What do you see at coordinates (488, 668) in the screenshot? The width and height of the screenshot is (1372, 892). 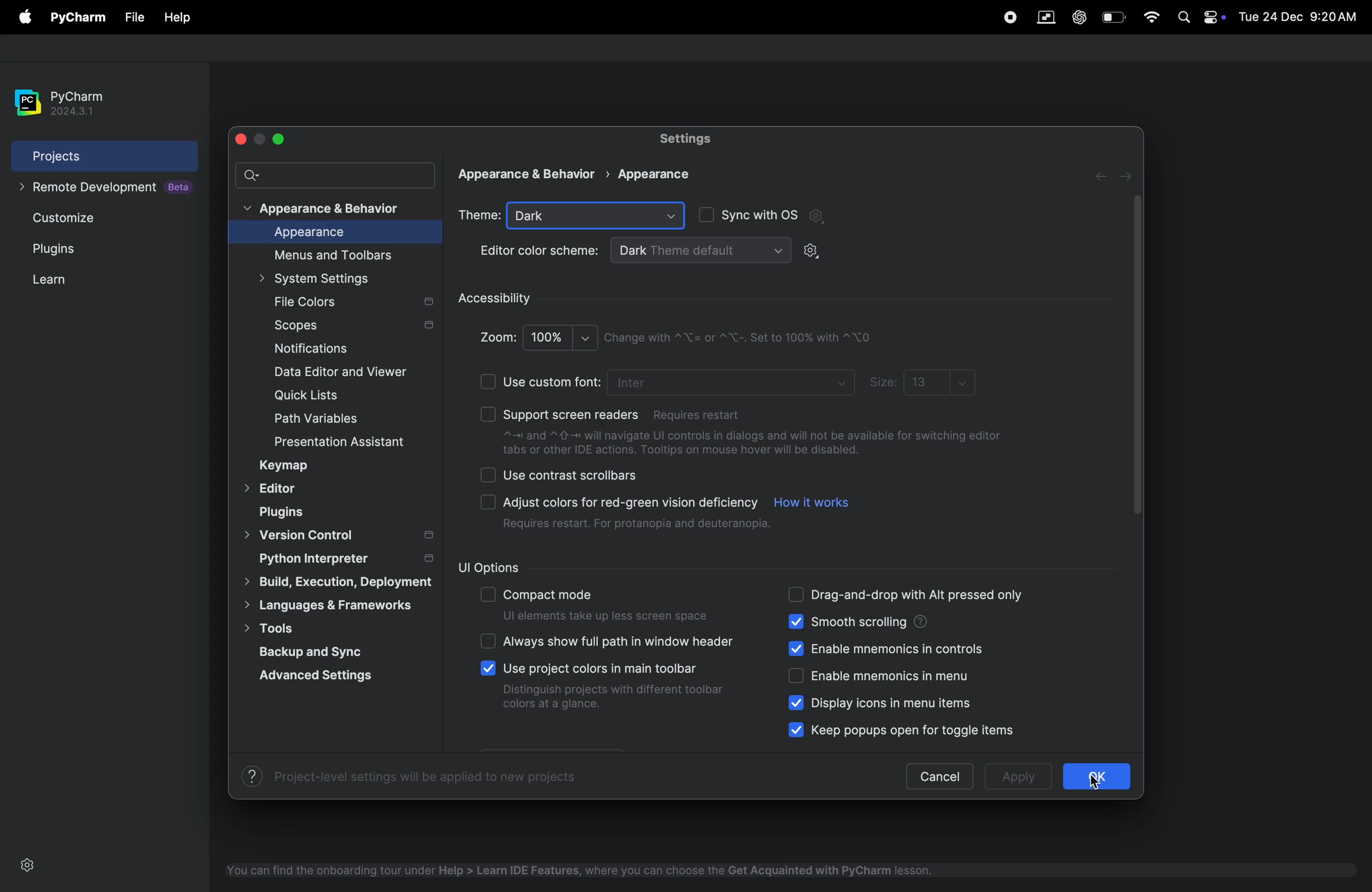 I see `checkbox` at bounding box center [488, 668].